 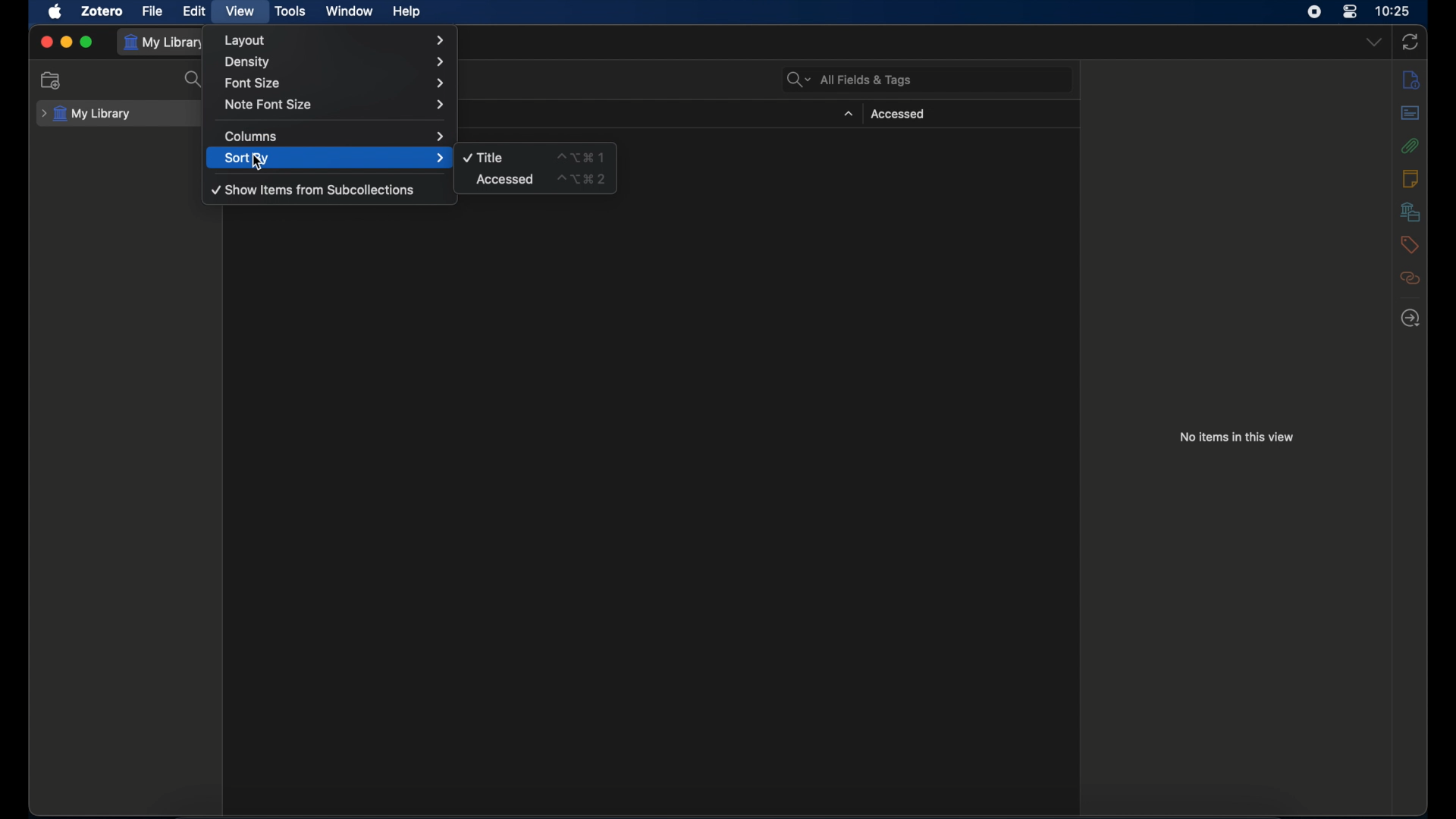 I want to click on title, so click(x=484, y=158).